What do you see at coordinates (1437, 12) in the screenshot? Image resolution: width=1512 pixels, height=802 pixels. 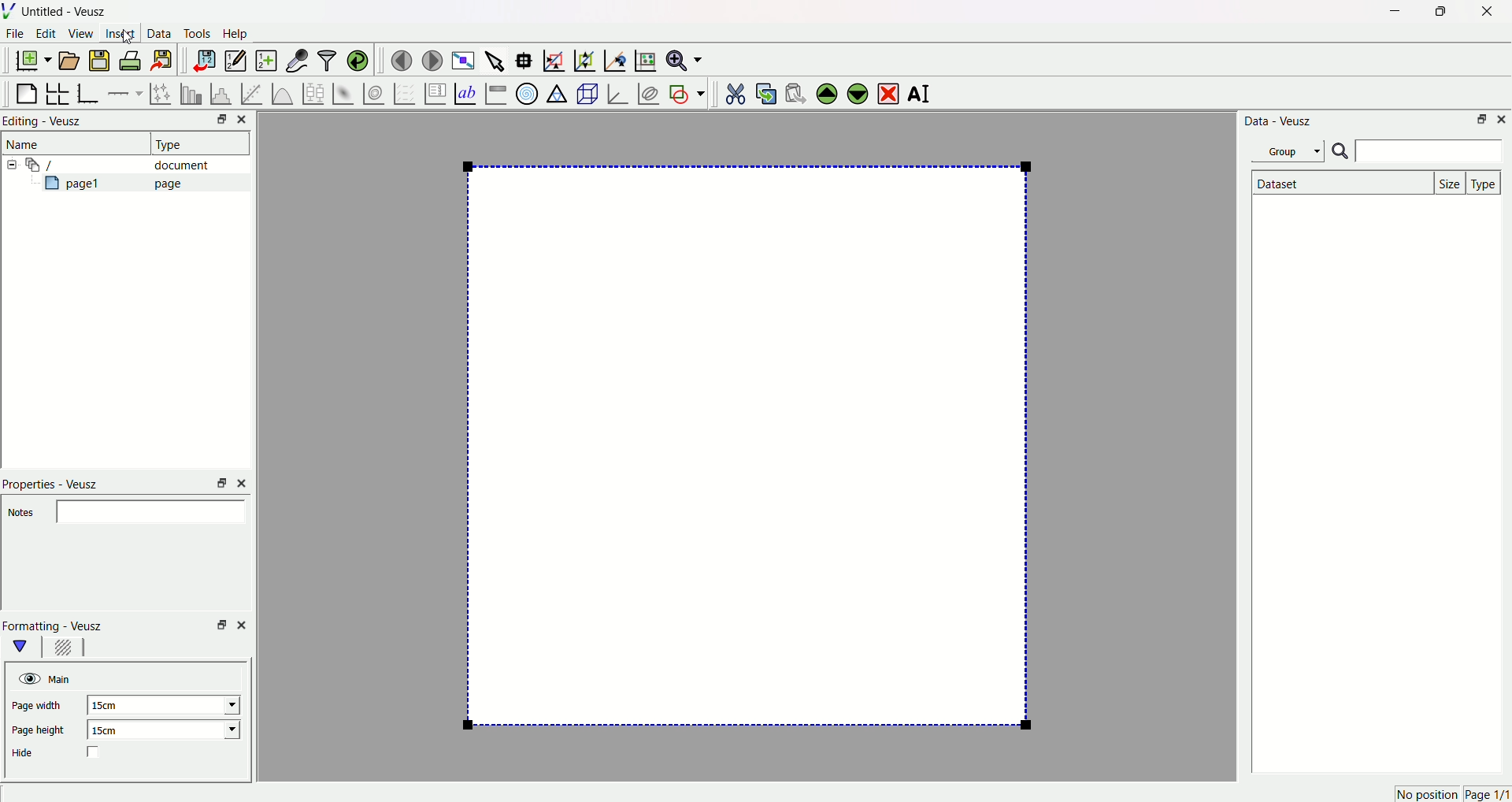 I see `Maximize` at bounding box center [1437, 12].